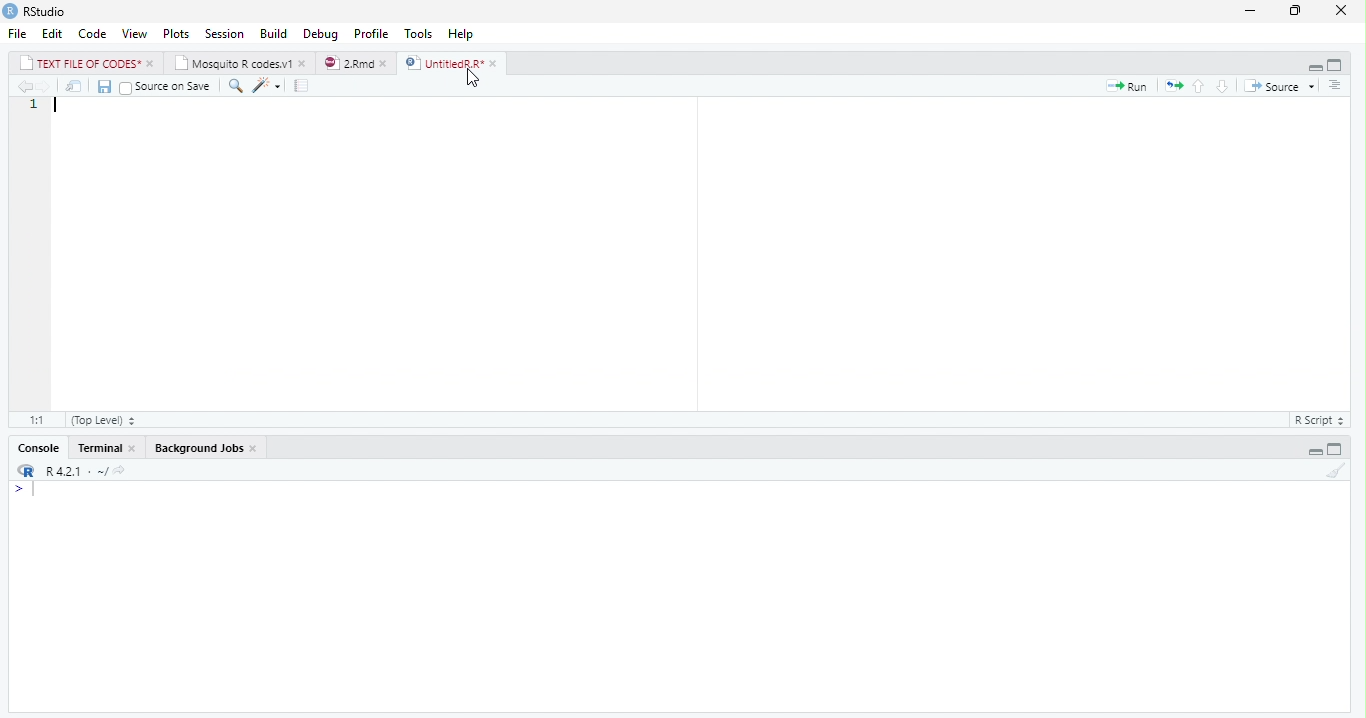  I want to click on Terminal, so click(101, 448).